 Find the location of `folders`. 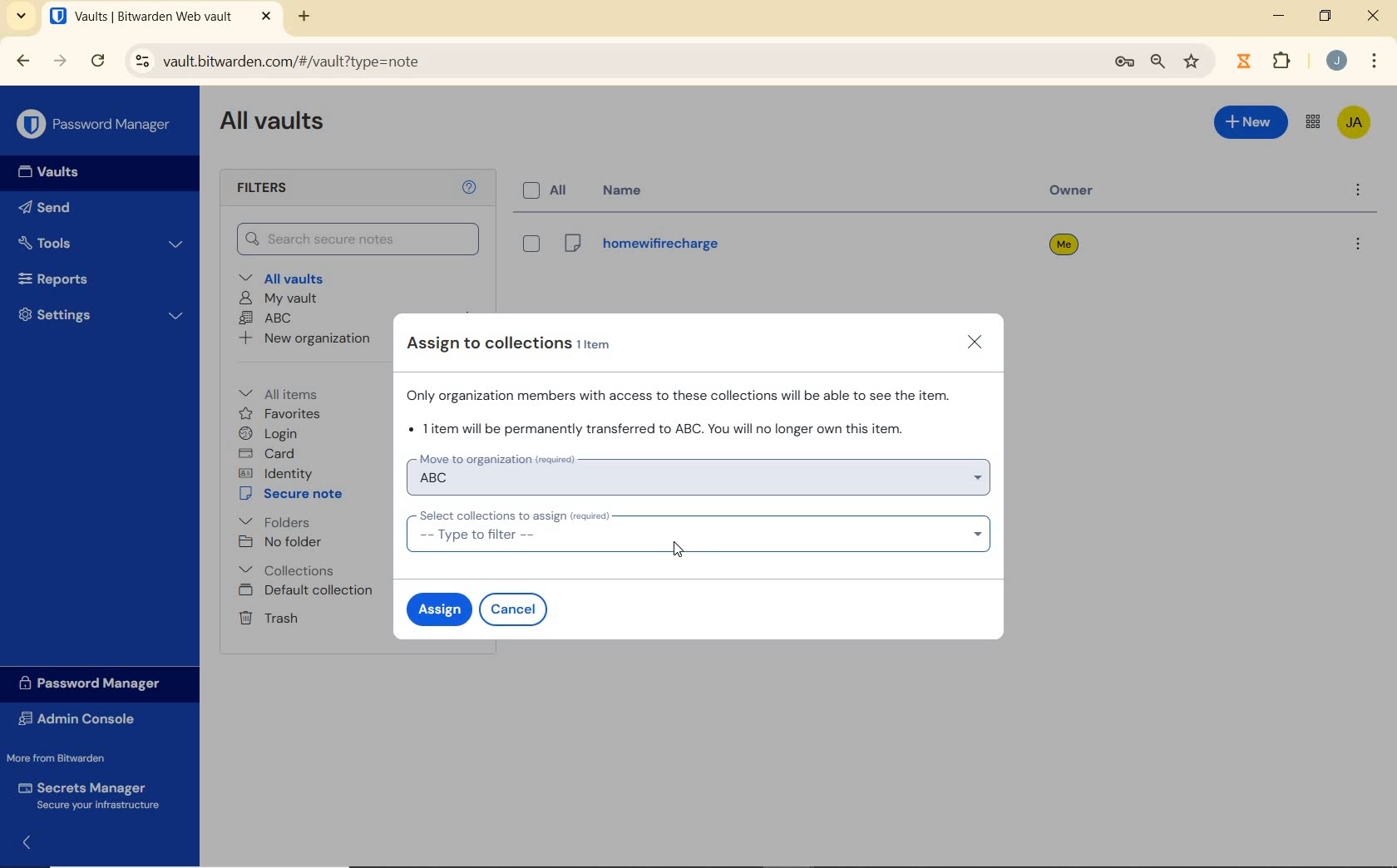

folders is located at coordinates (274, 520).